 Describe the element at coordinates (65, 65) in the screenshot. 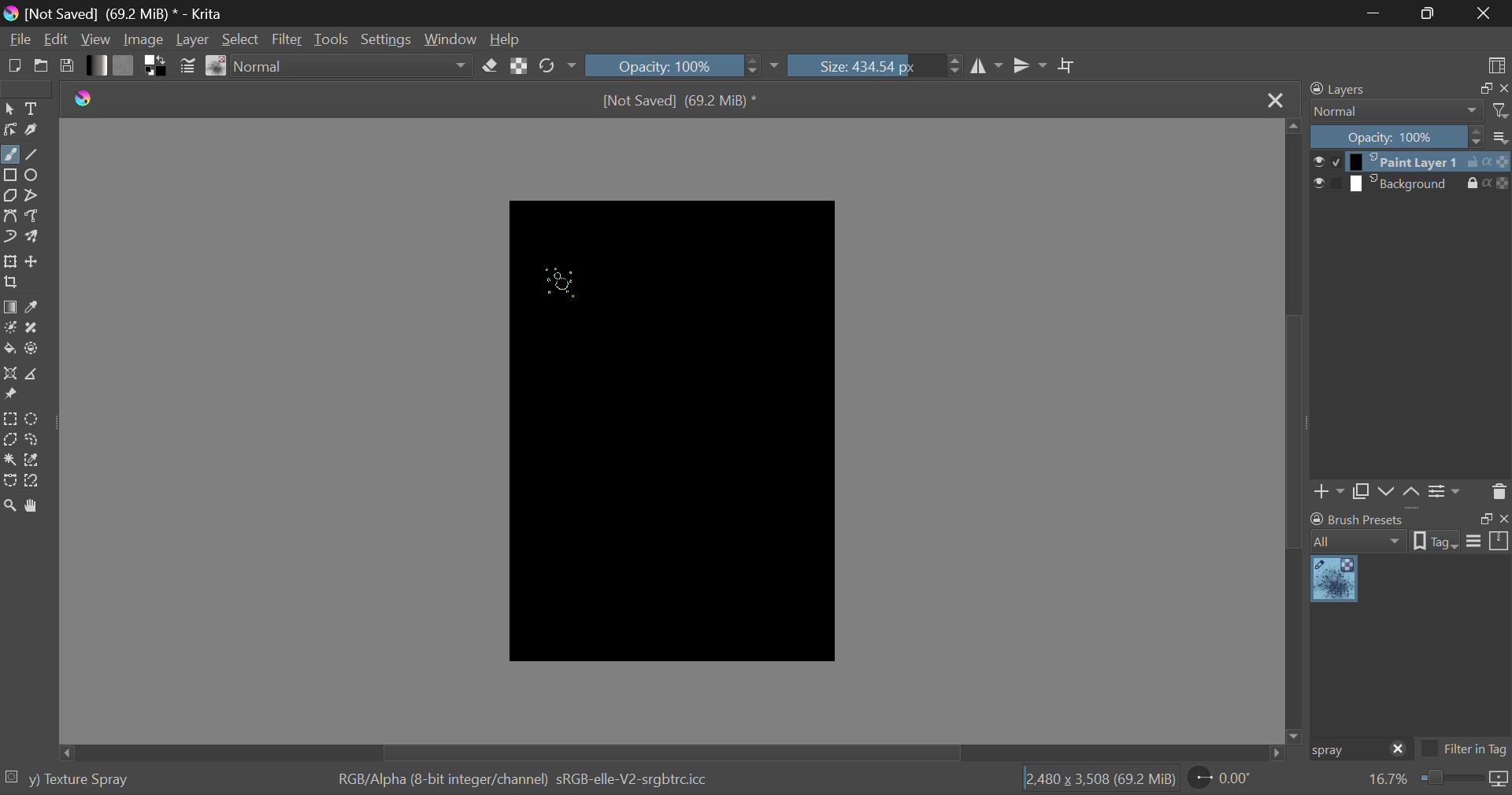

I see `Save` at that location.